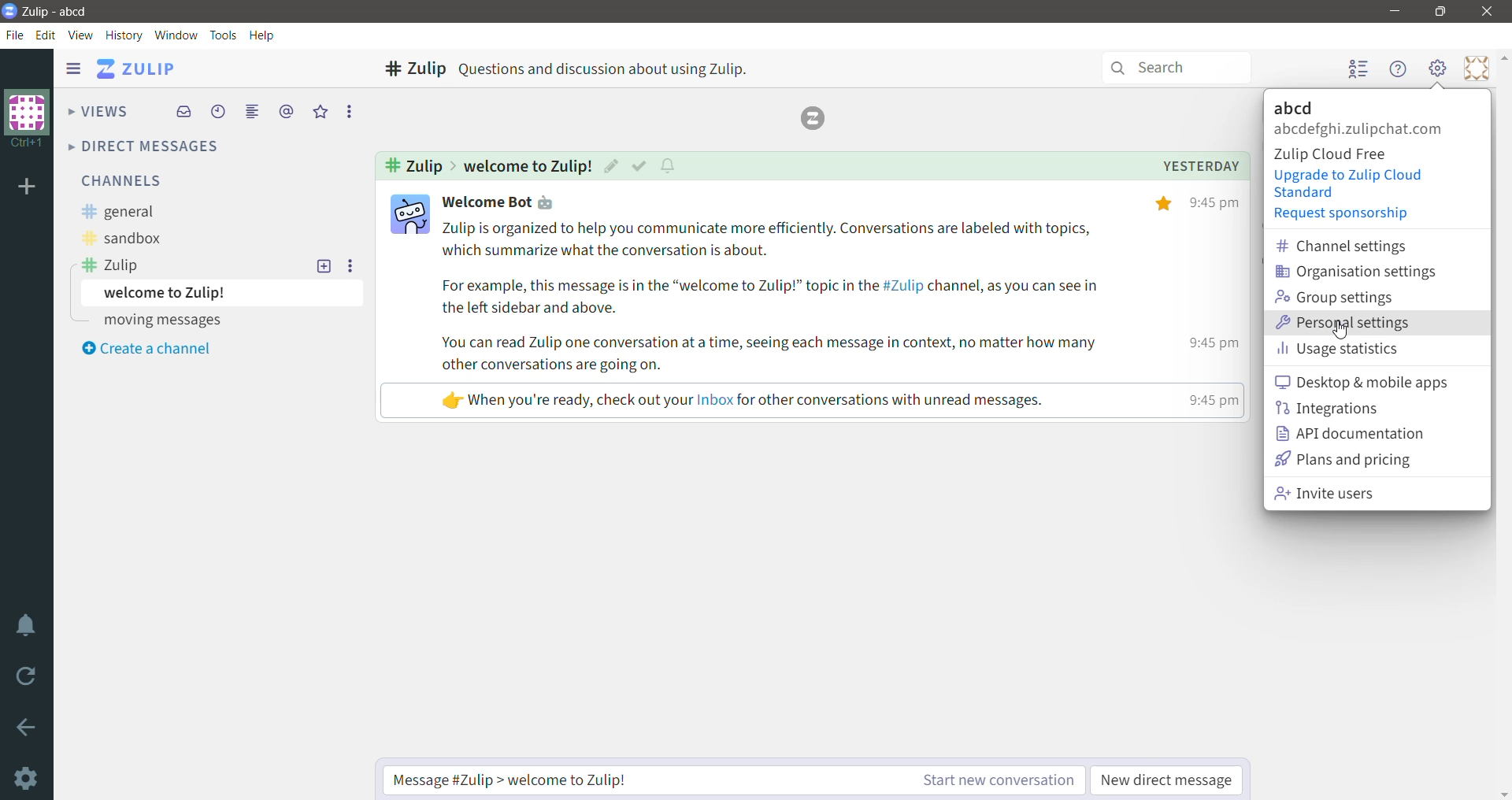 The width and height of the screenshot is (1512, 800). I want to click on Views, so click(100, 109).